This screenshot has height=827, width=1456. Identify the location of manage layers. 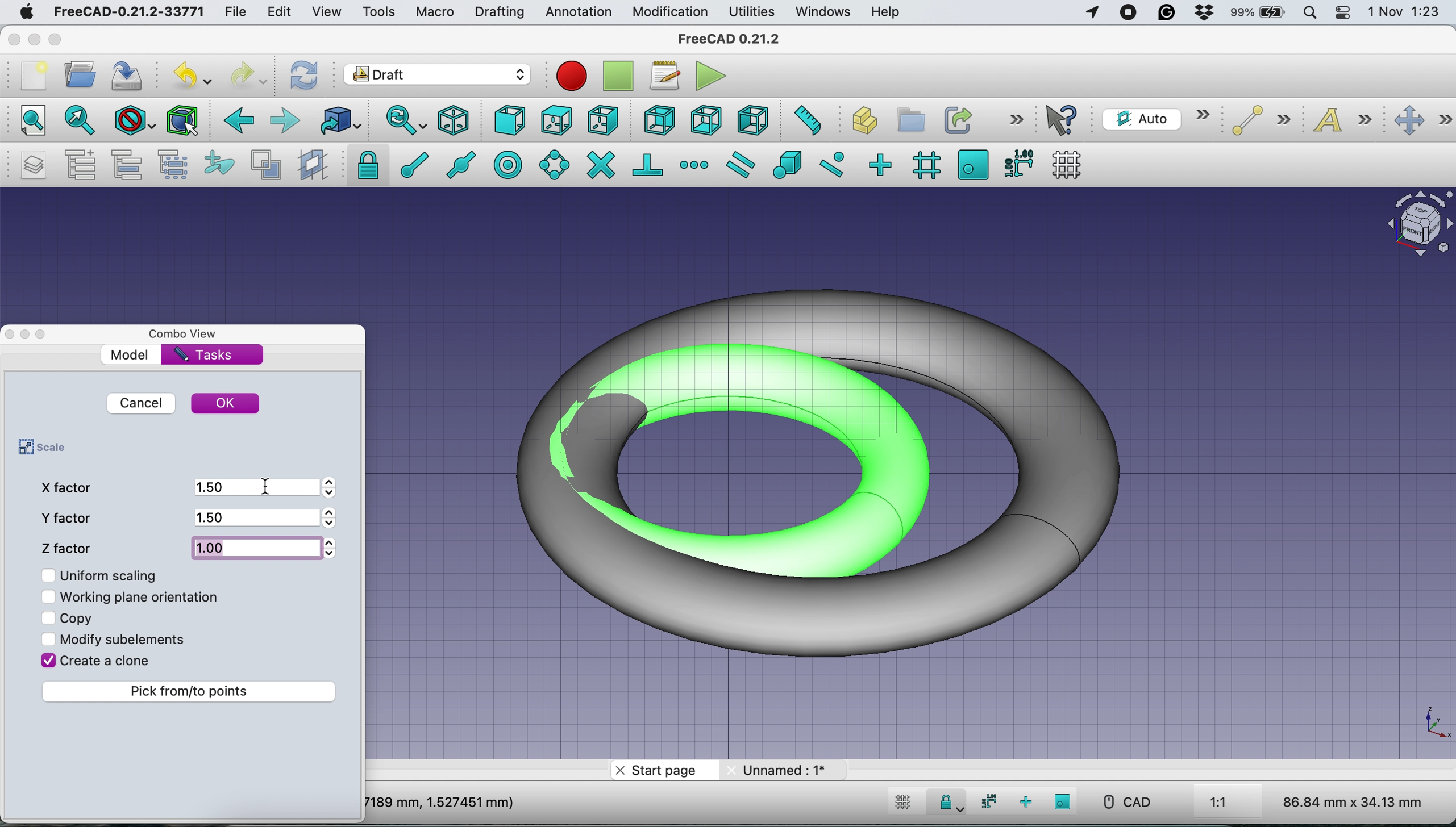
(36, 165).